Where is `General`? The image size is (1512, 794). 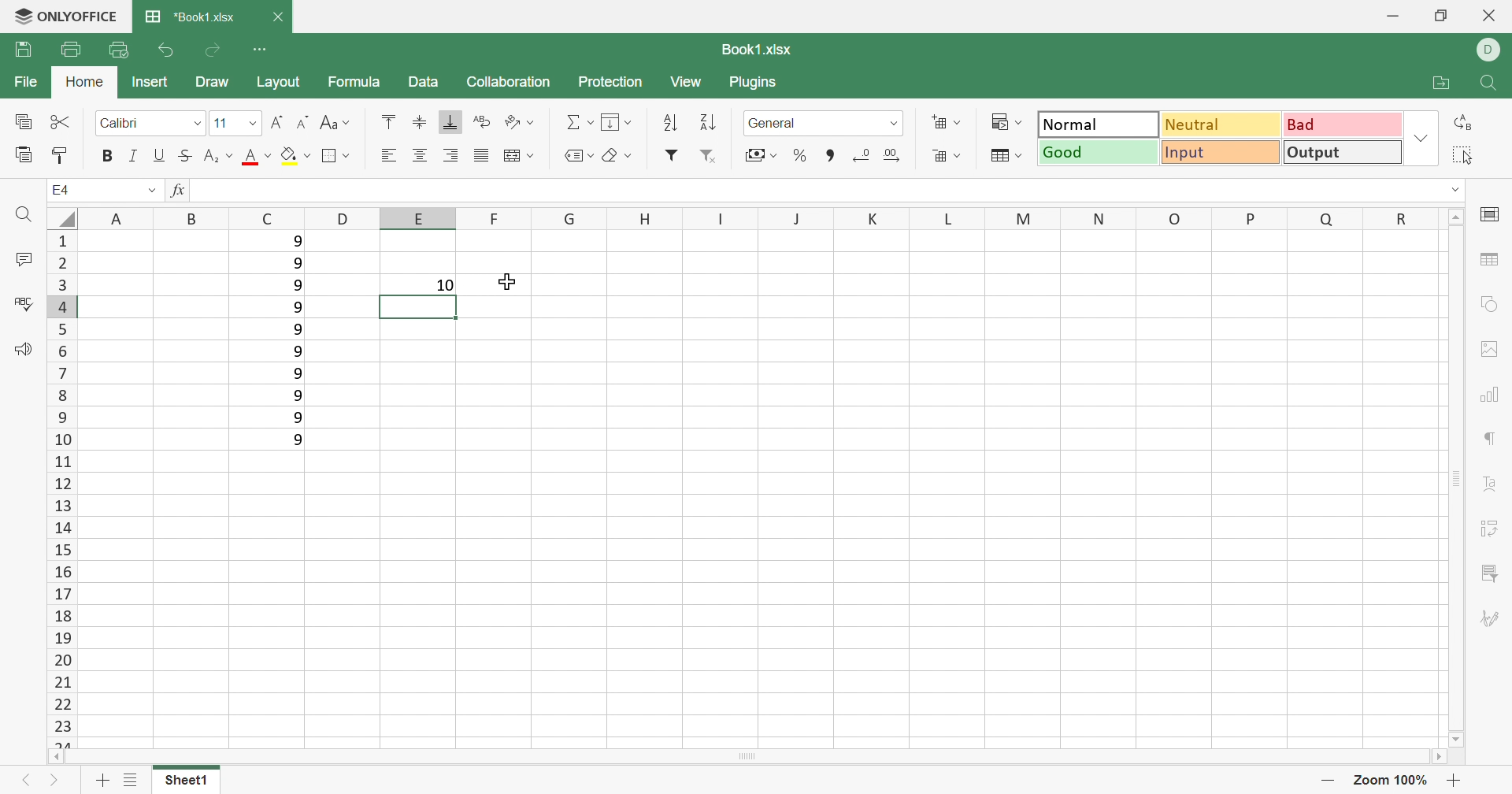 General is located at coordinates (772, 123).